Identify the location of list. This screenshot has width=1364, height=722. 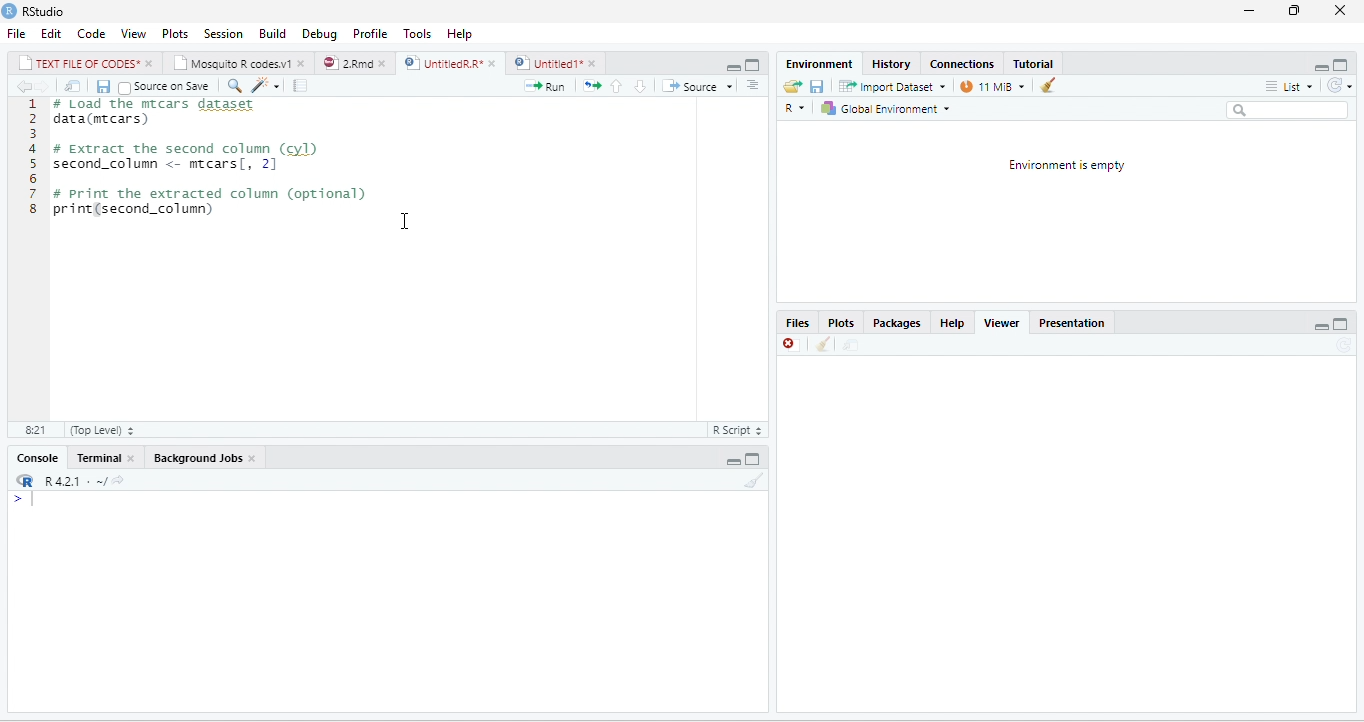
(1291, 87).